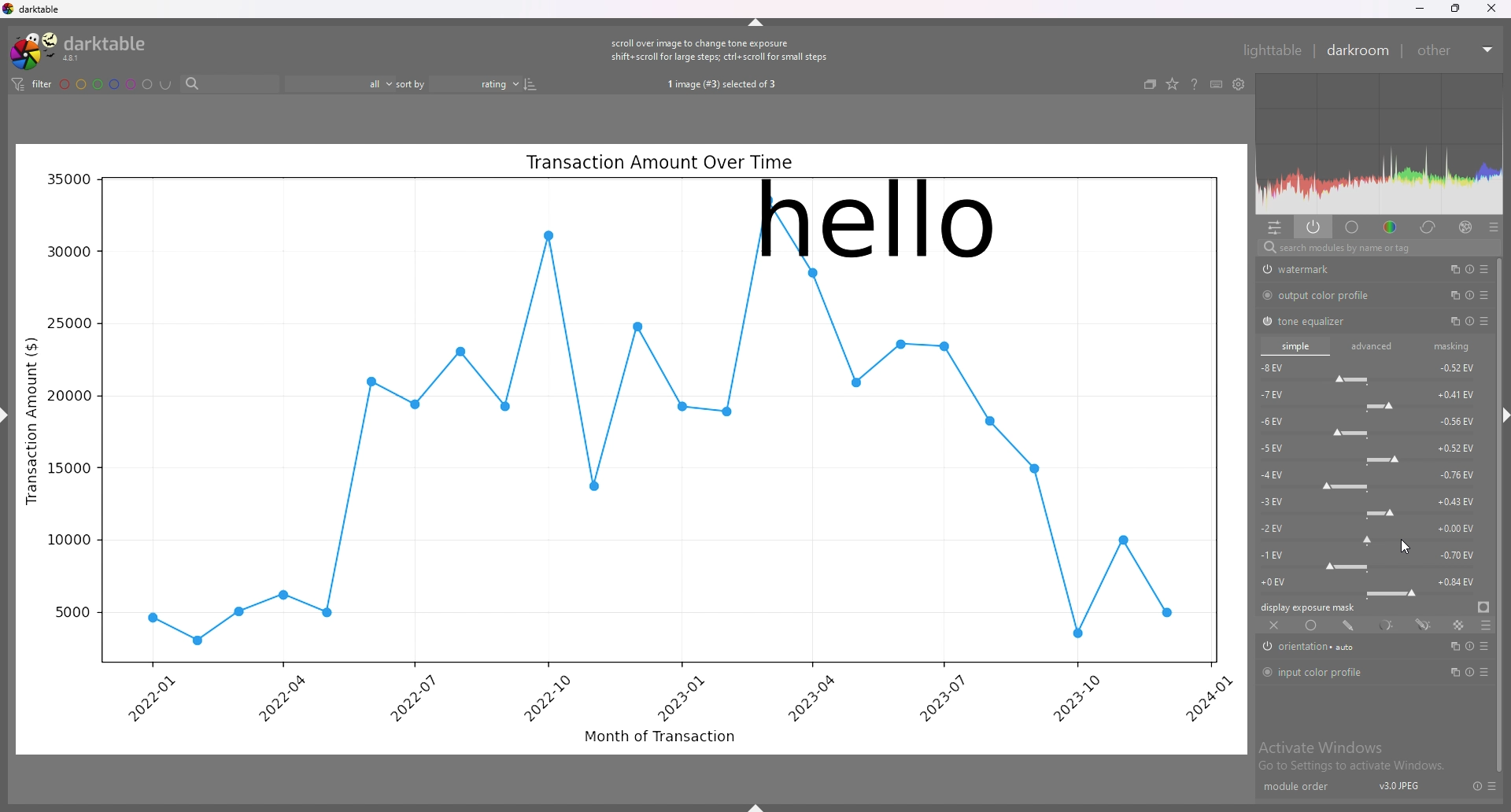 The width and height of the screenshot is (1511, 812). I want to click on including color labels, so click(166, 85).